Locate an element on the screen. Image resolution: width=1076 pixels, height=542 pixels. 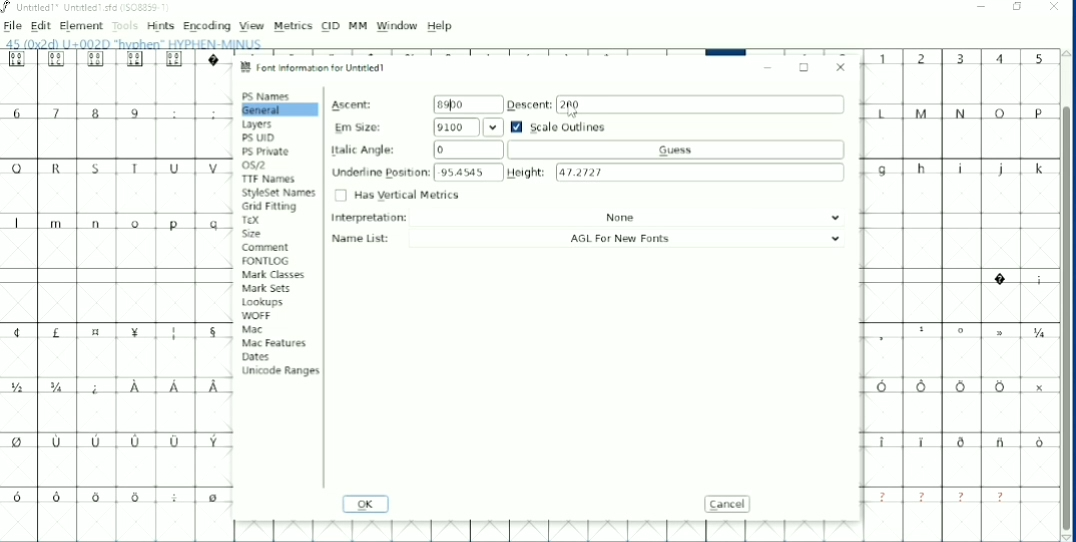
Letter info is located at coordinates (141, 43).